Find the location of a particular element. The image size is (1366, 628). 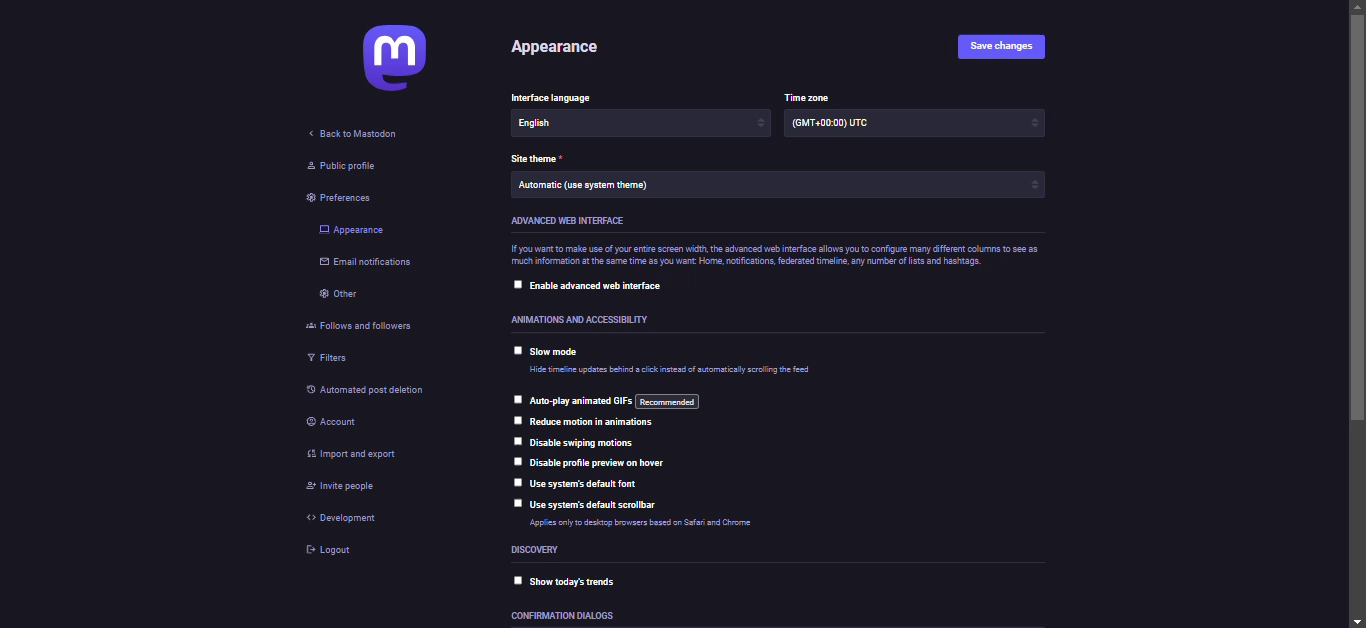

click to select is located at coordinates (518, 440).